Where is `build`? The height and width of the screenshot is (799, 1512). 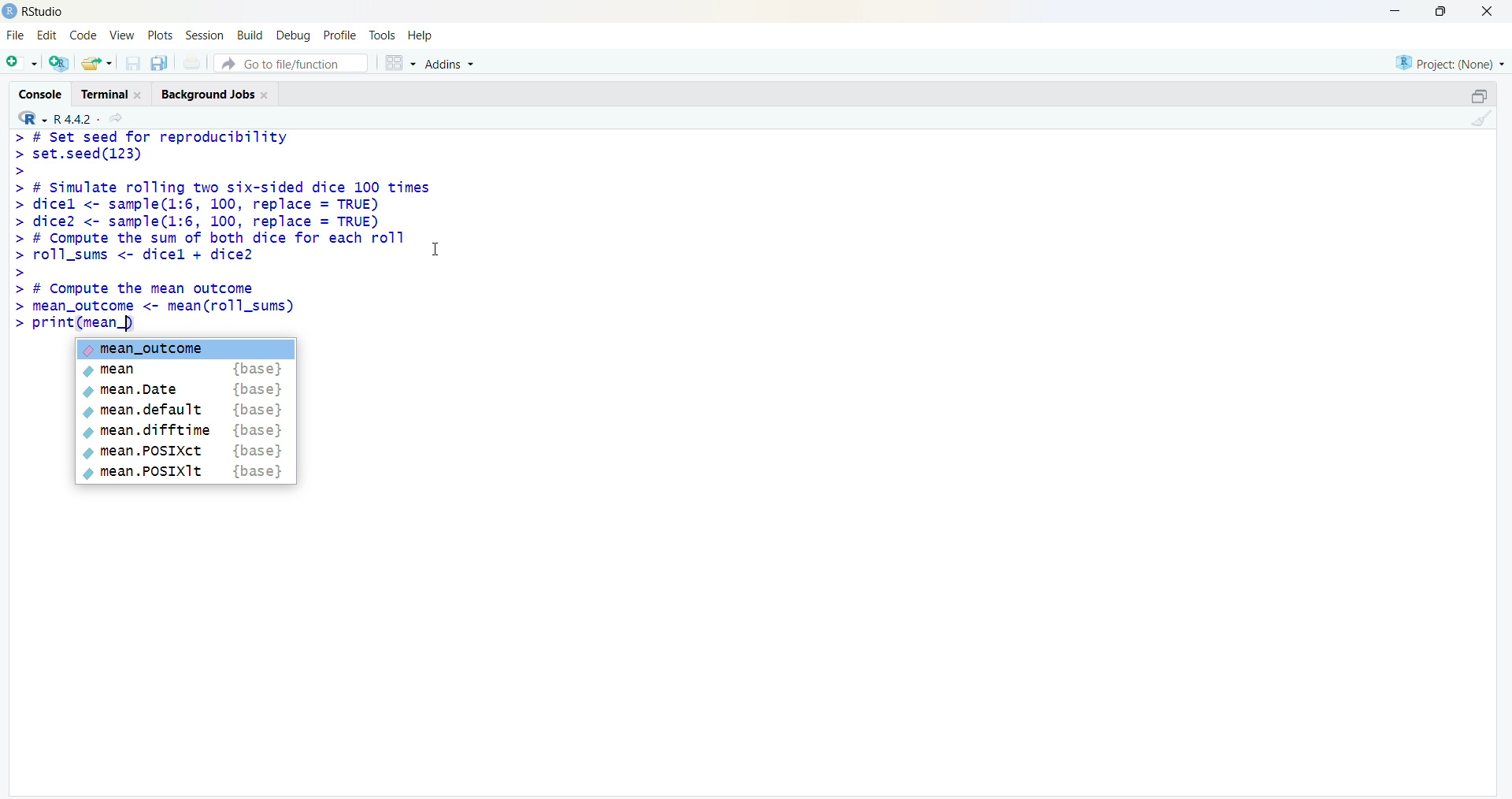
build is located at coordinates (249, 36).